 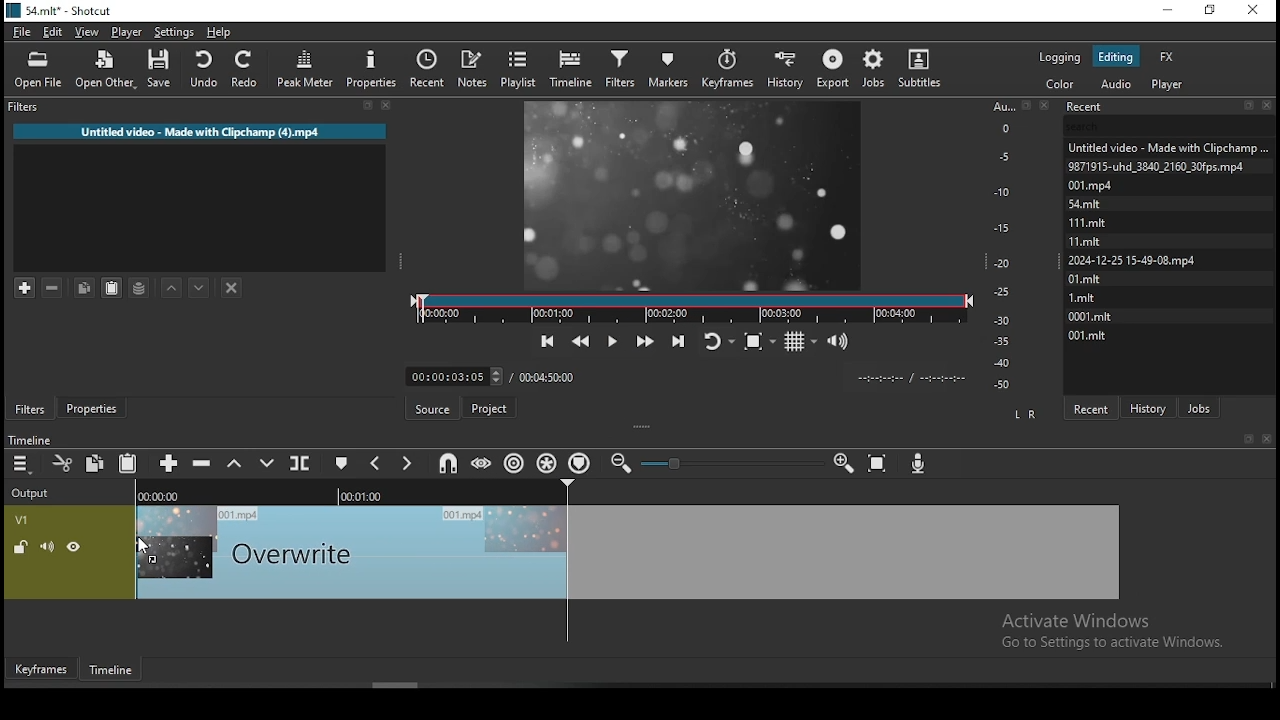 I want to click on zoom timeline to fit, so click(x=878, y=466).